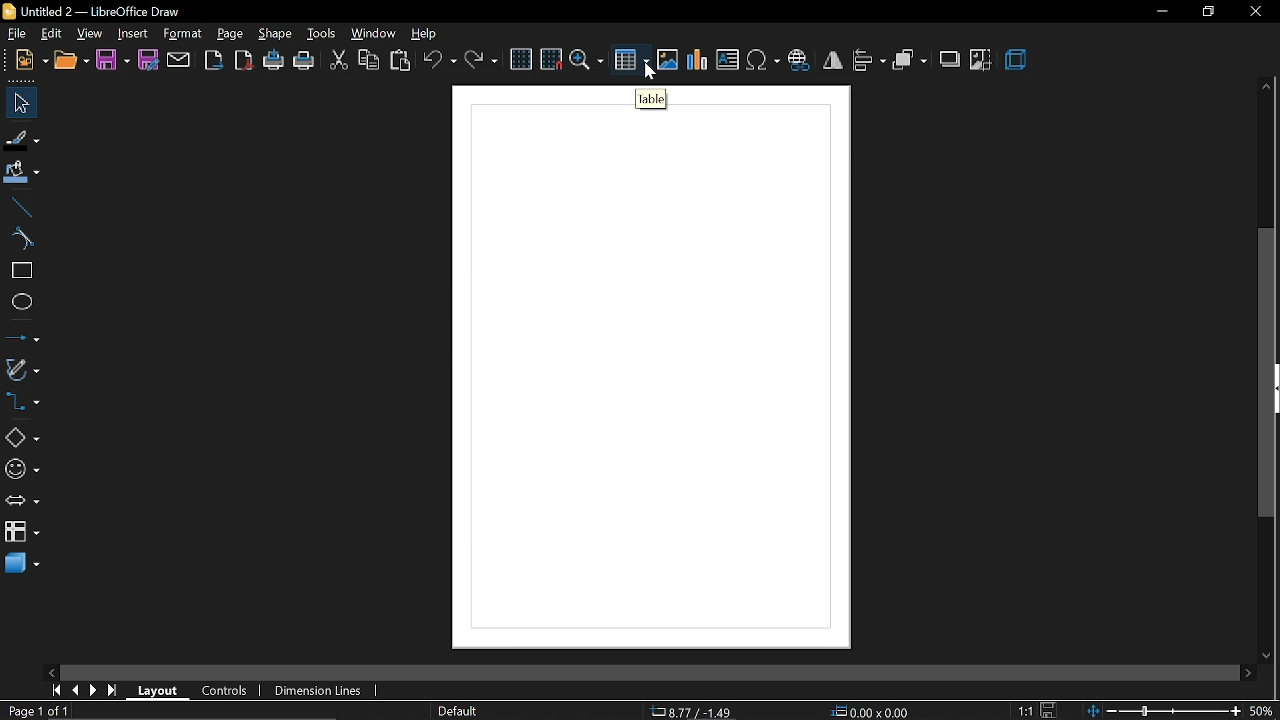  I want to click on insert , so click(132, 33).